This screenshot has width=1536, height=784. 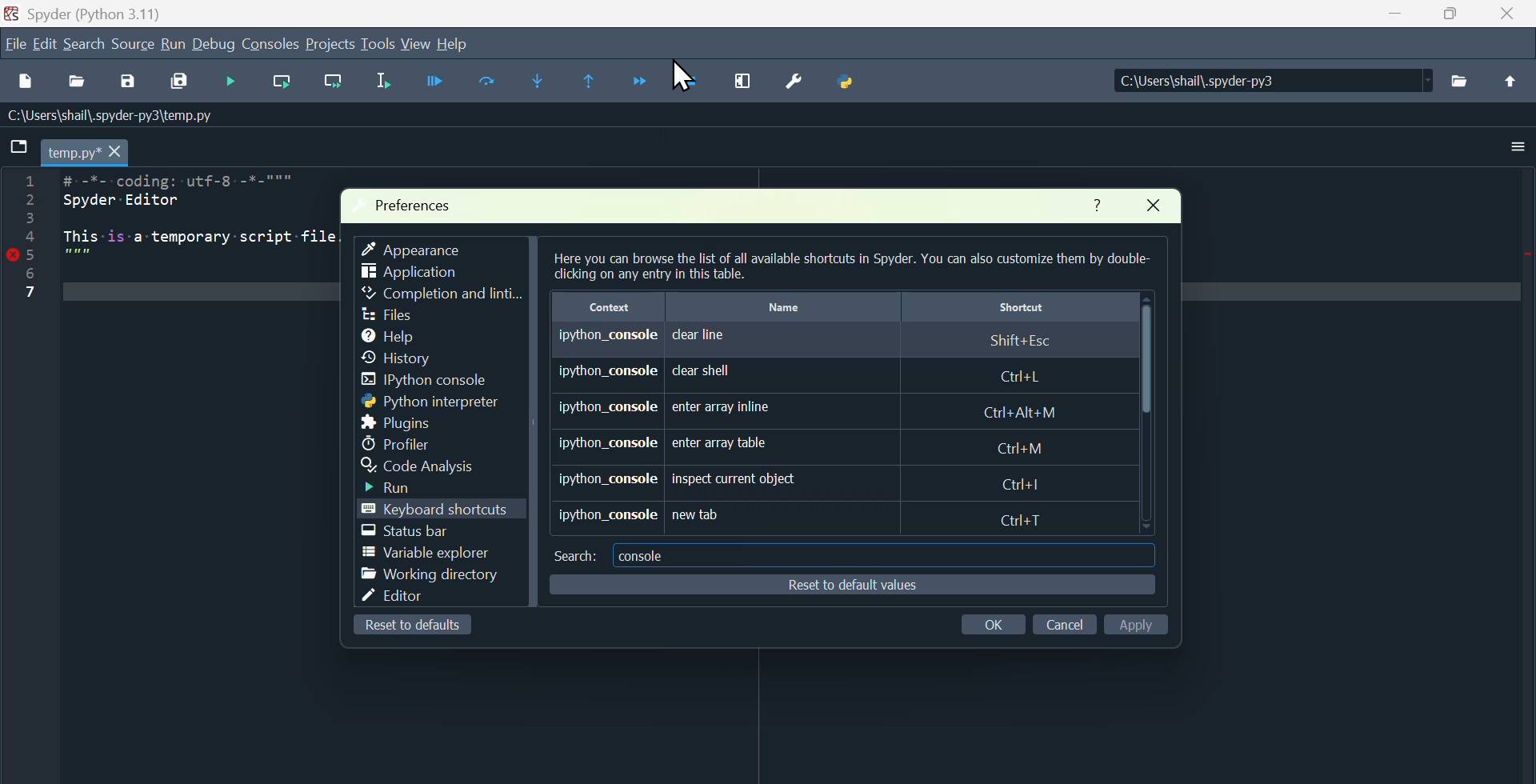 What do you see at coordinates (99, 13) in the screenshot?
I see `Spyder` at bounding box center [99, 13].